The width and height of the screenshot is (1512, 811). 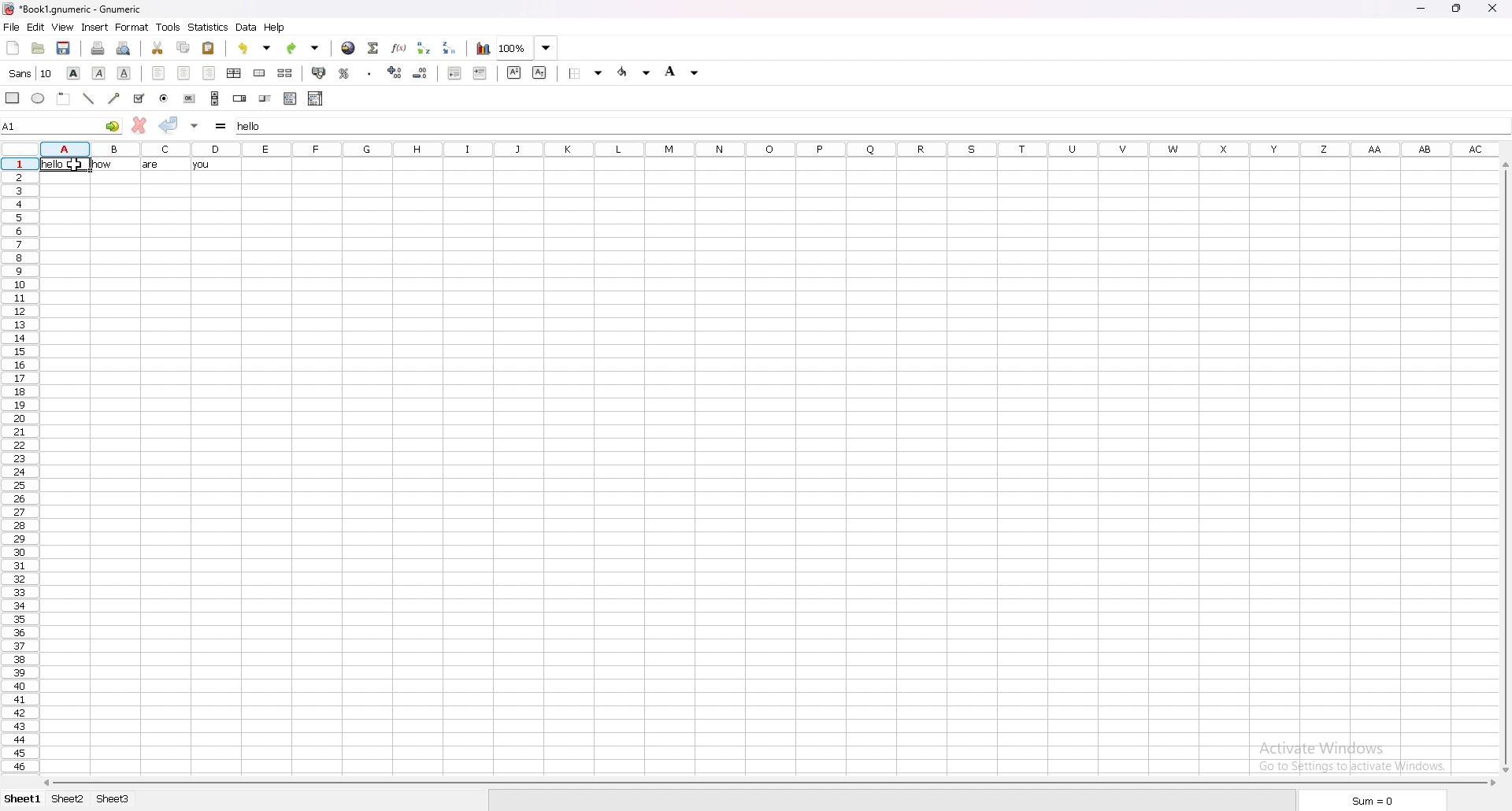 What do you see at coordinates (276, 28) in the screenshot?
I see `help` at bounding box center [276, 28].